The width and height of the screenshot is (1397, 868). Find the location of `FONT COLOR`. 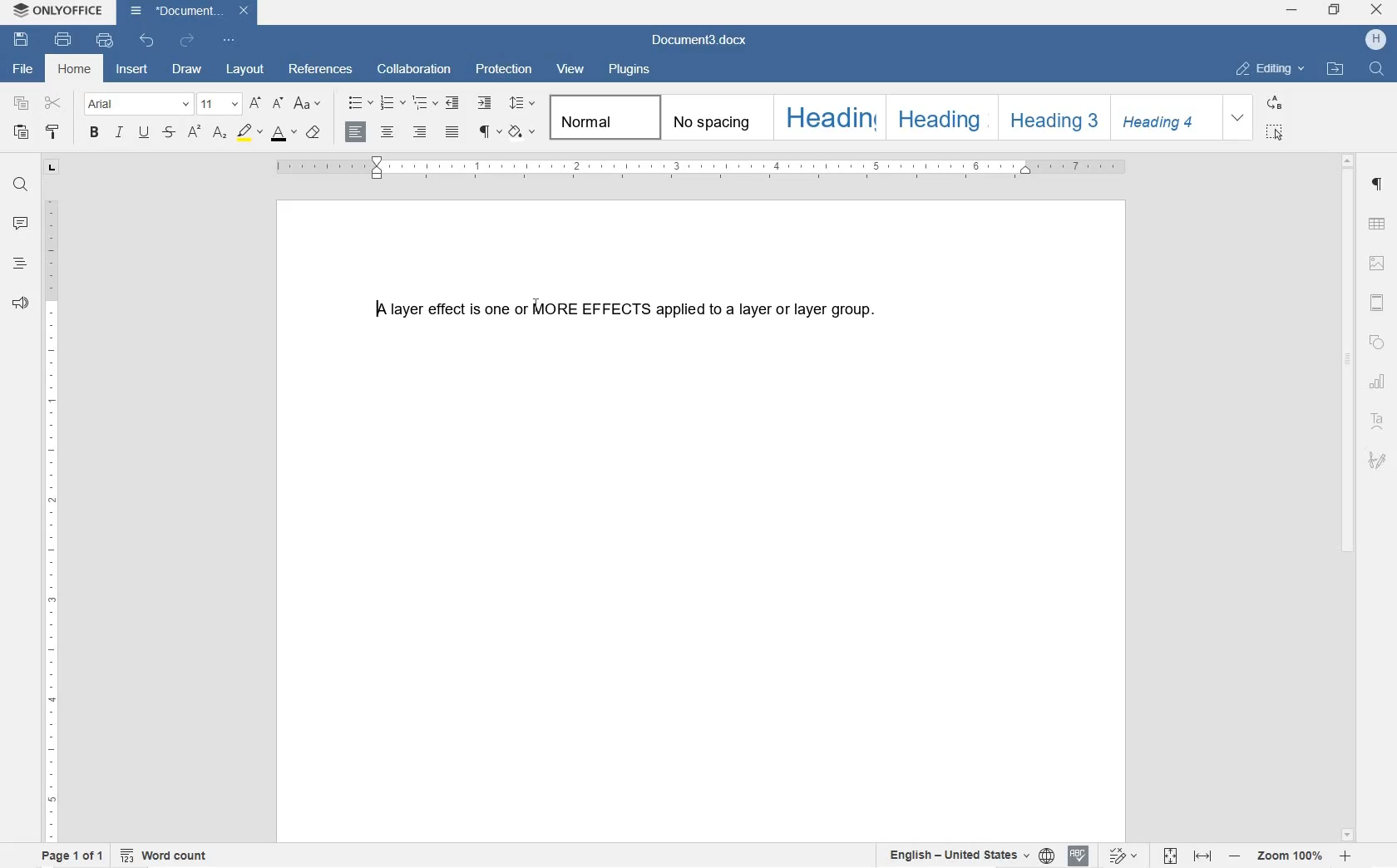

FONT COLOR is located at coordinates (282, 134).